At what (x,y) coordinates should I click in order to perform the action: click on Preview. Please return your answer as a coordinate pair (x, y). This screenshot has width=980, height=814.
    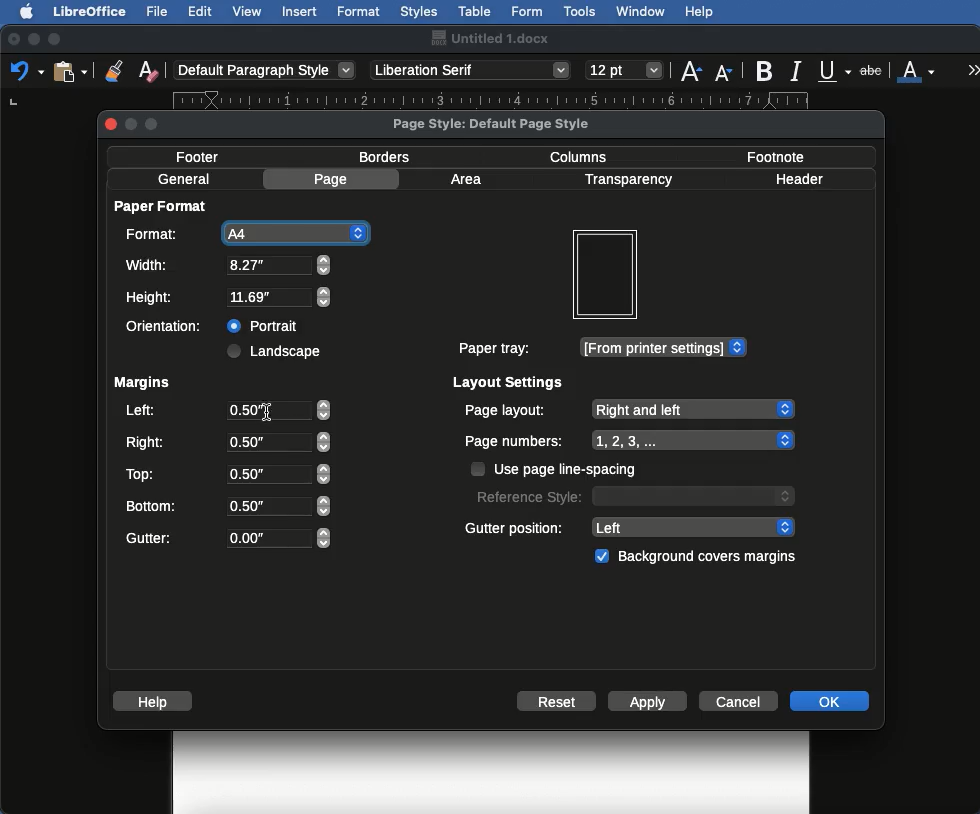
    Looking at the image, I should click on (604, 275).